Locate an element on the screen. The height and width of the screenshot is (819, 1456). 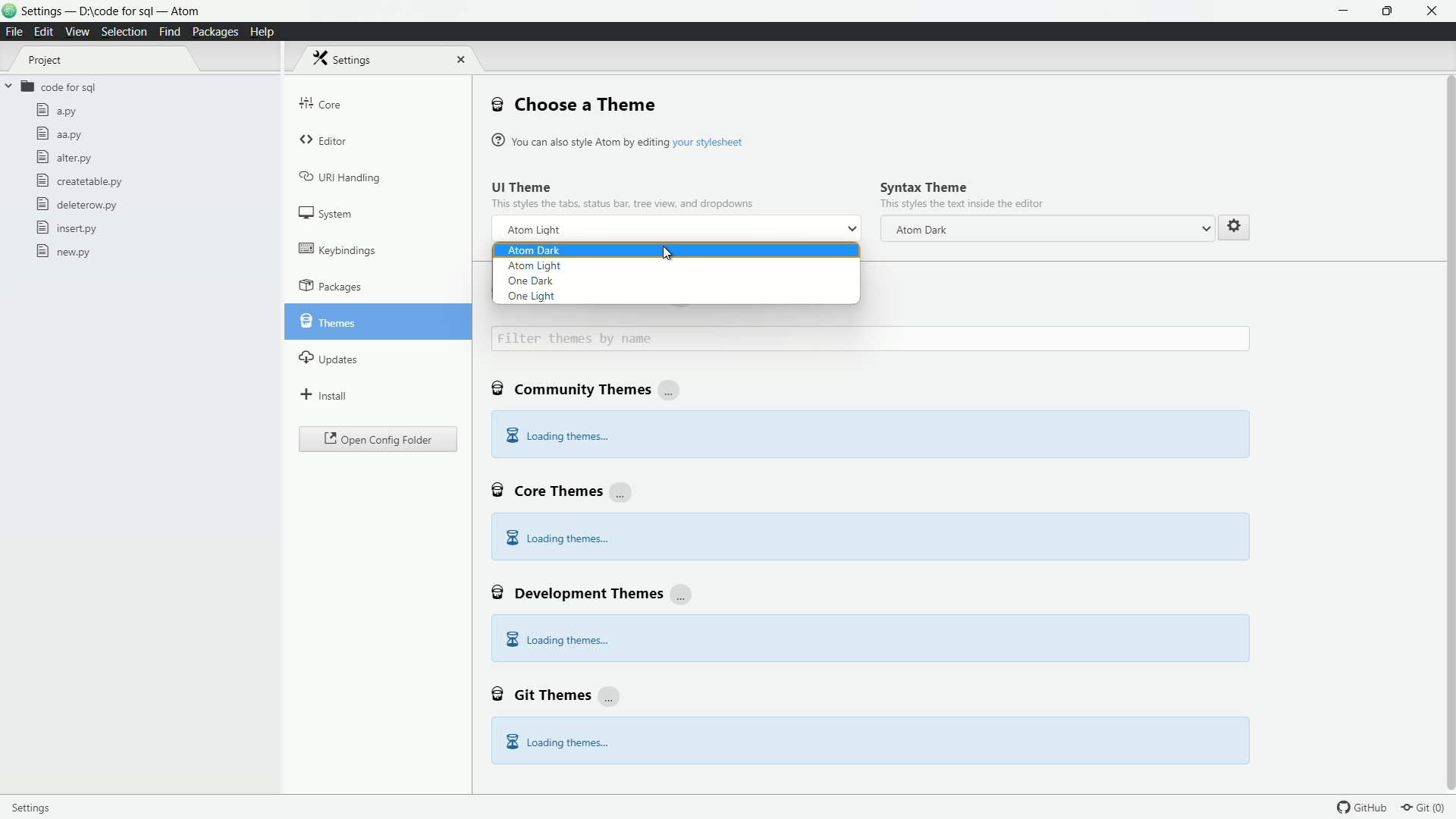
core is located at coordinates (321, 103).